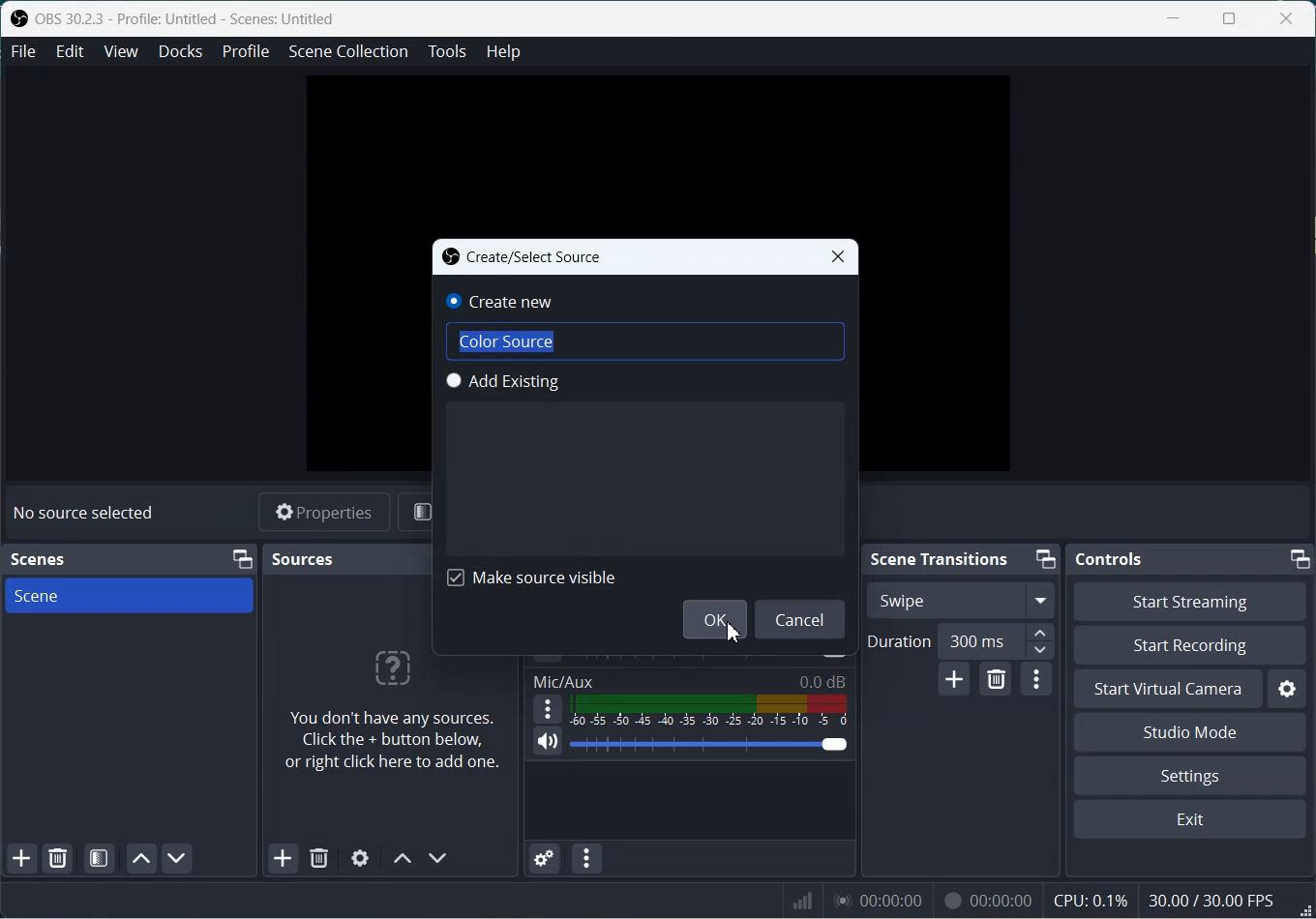  What do you see at coordinates (128, 598) in the screenshot?
I see `Scene` at bounding box center [128, 598].